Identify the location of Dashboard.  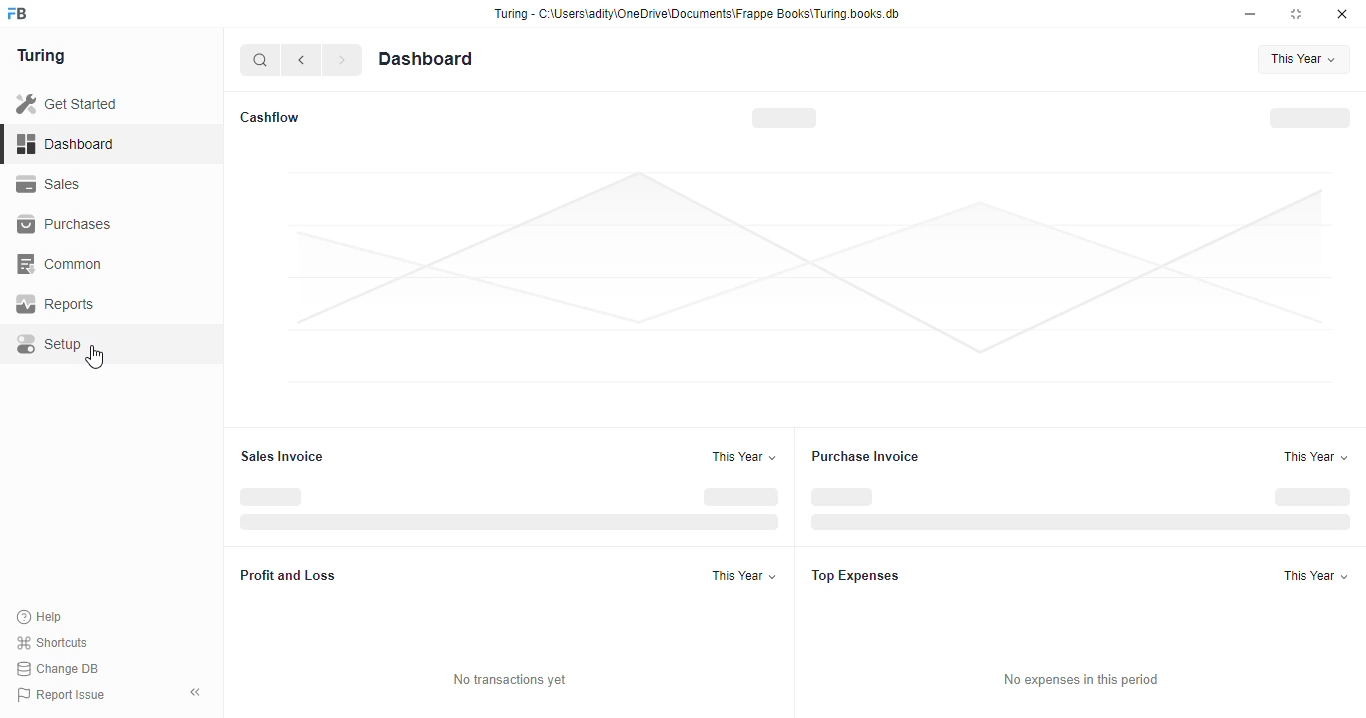
(71, 143).